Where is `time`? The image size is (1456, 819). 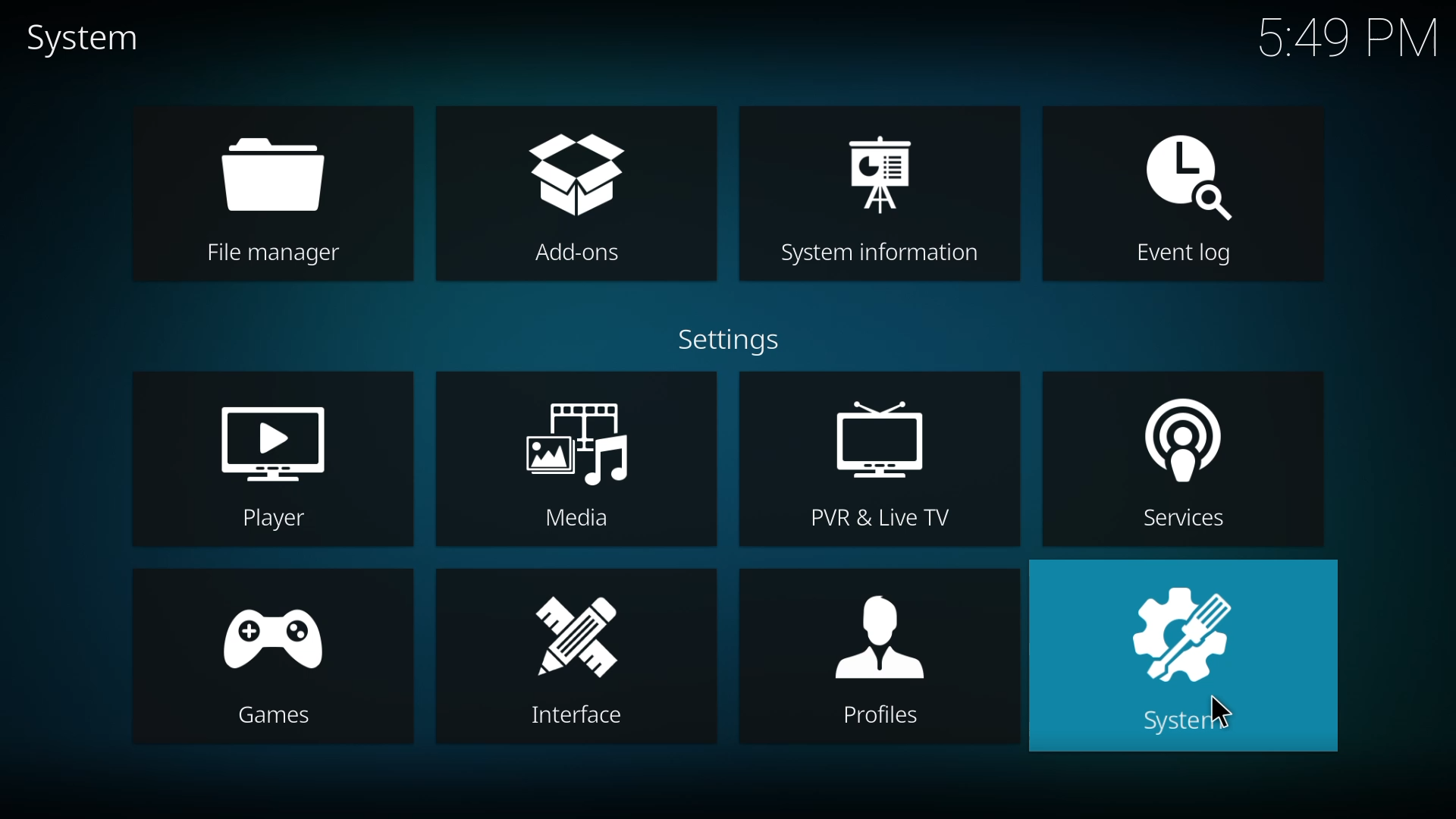
time is located at coordinates (1349, 36).